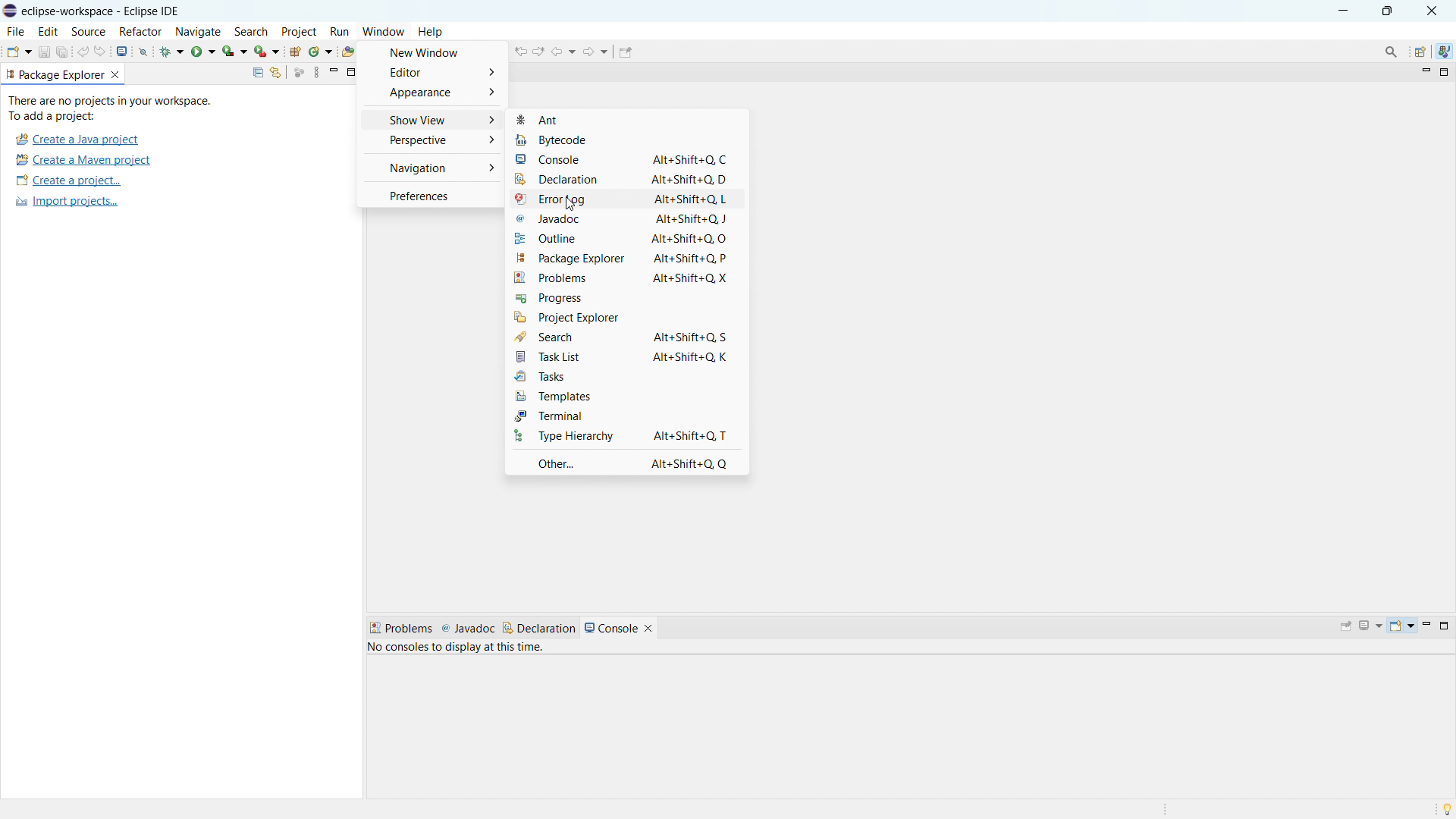  I want to click on eclipse-workspace - Eclipse IDE, so click(115, 11).